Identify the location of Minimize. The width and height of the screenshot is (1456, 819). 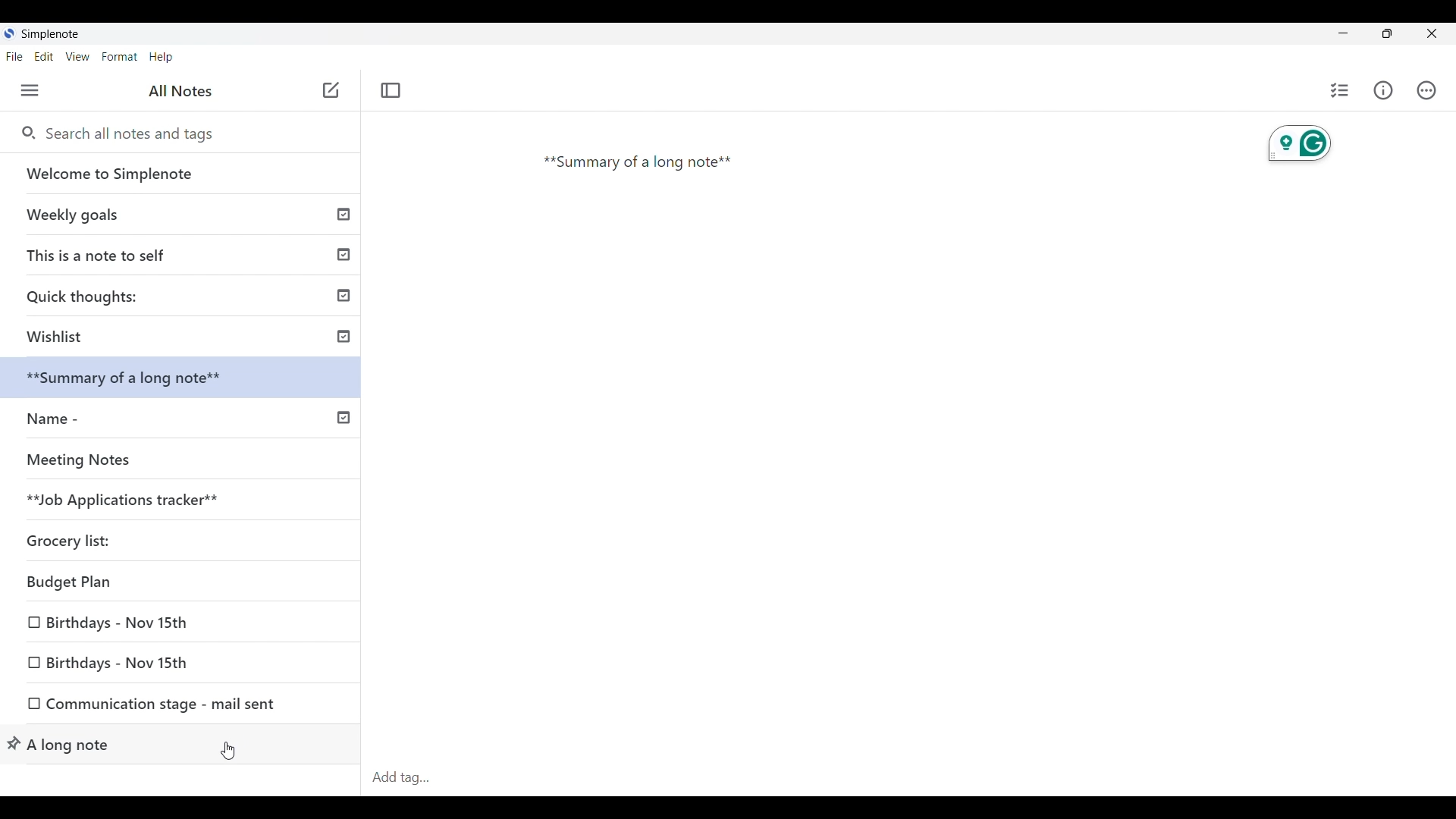
(1344, 33).